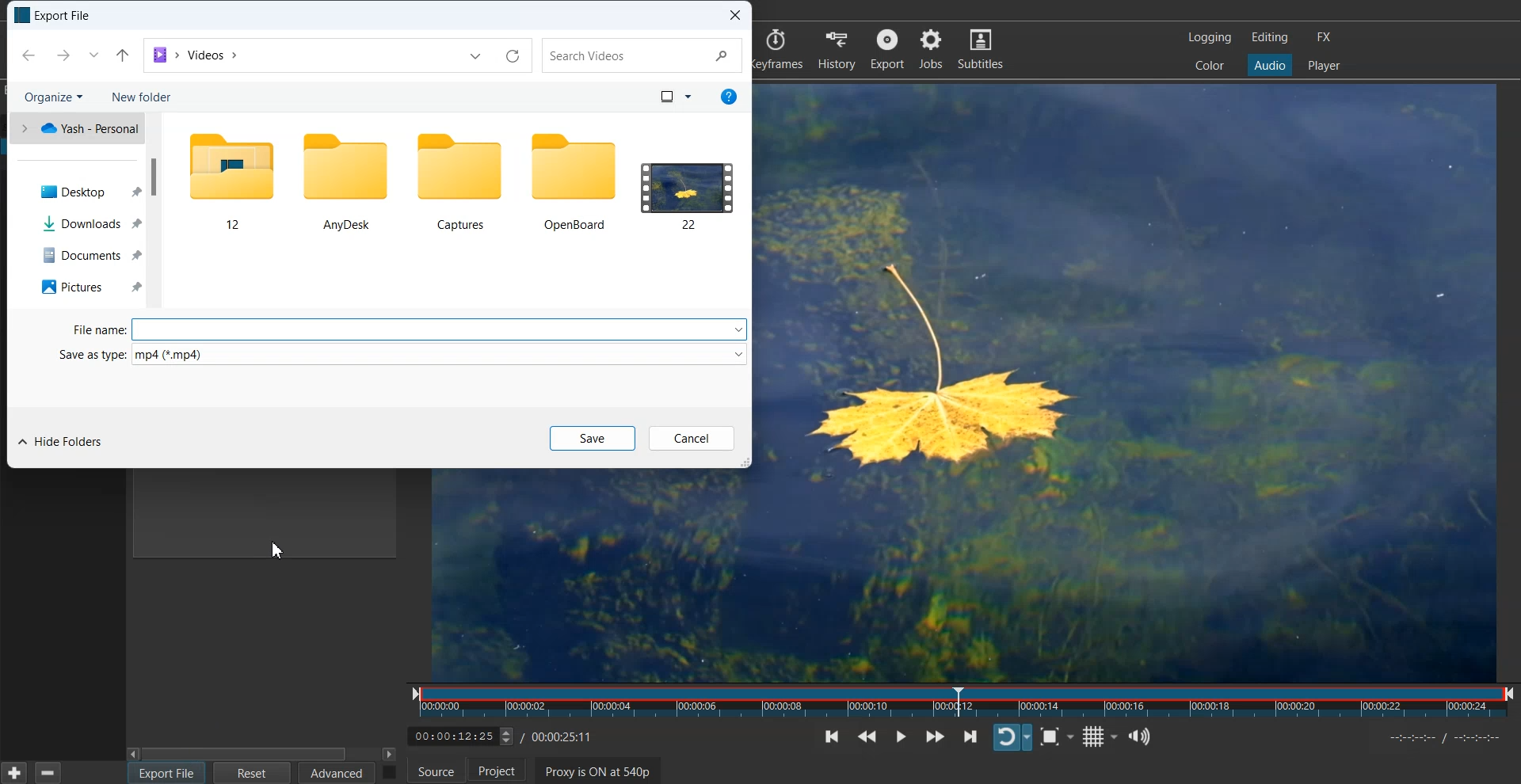  What do you see at coordinates (166, 773) in the screenshot?
I see `Export File` at bounding box center [166, 773].